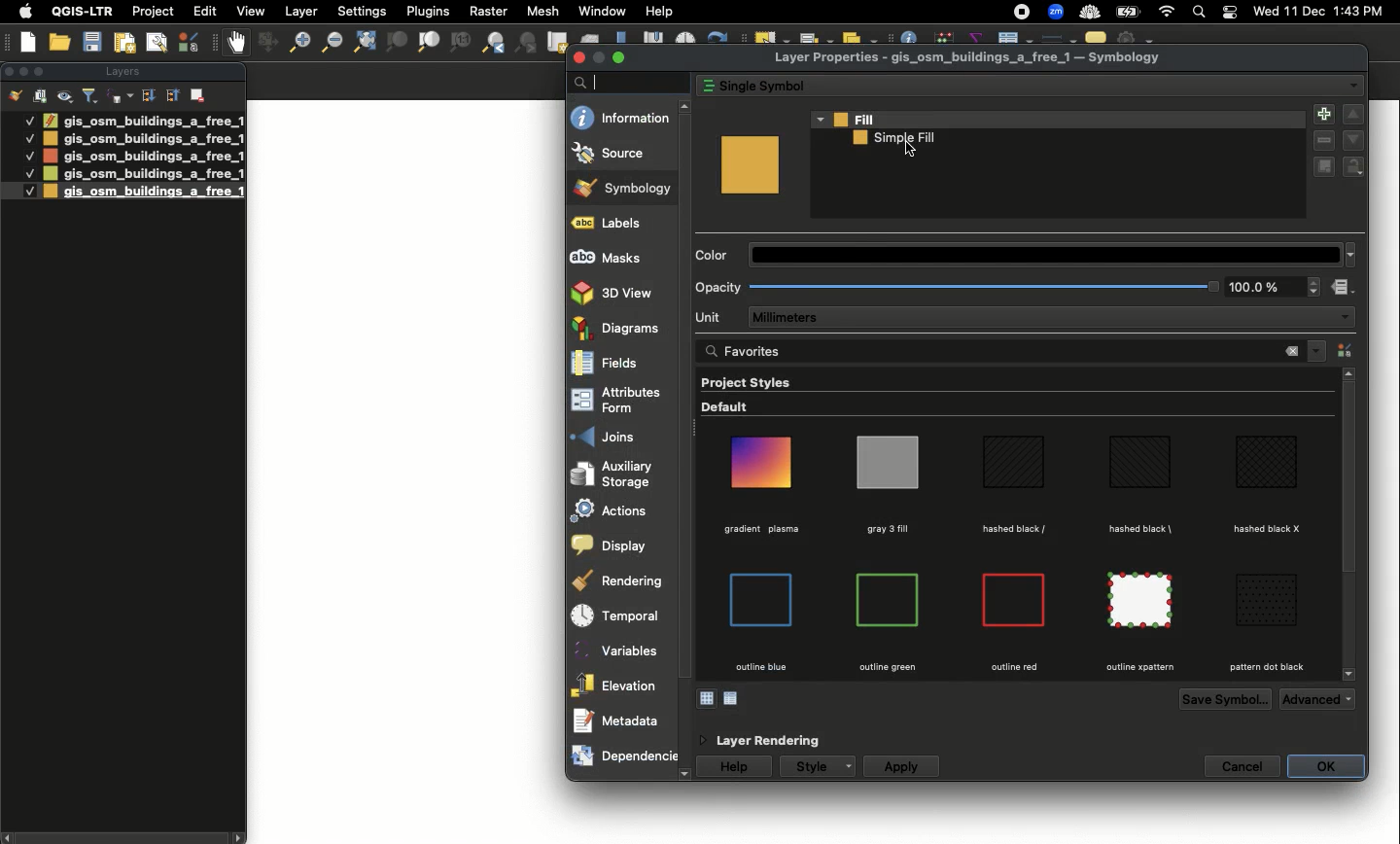 The width and height of the screenshot is (1400, 844). I want to click on Add group, so click(41, 95).